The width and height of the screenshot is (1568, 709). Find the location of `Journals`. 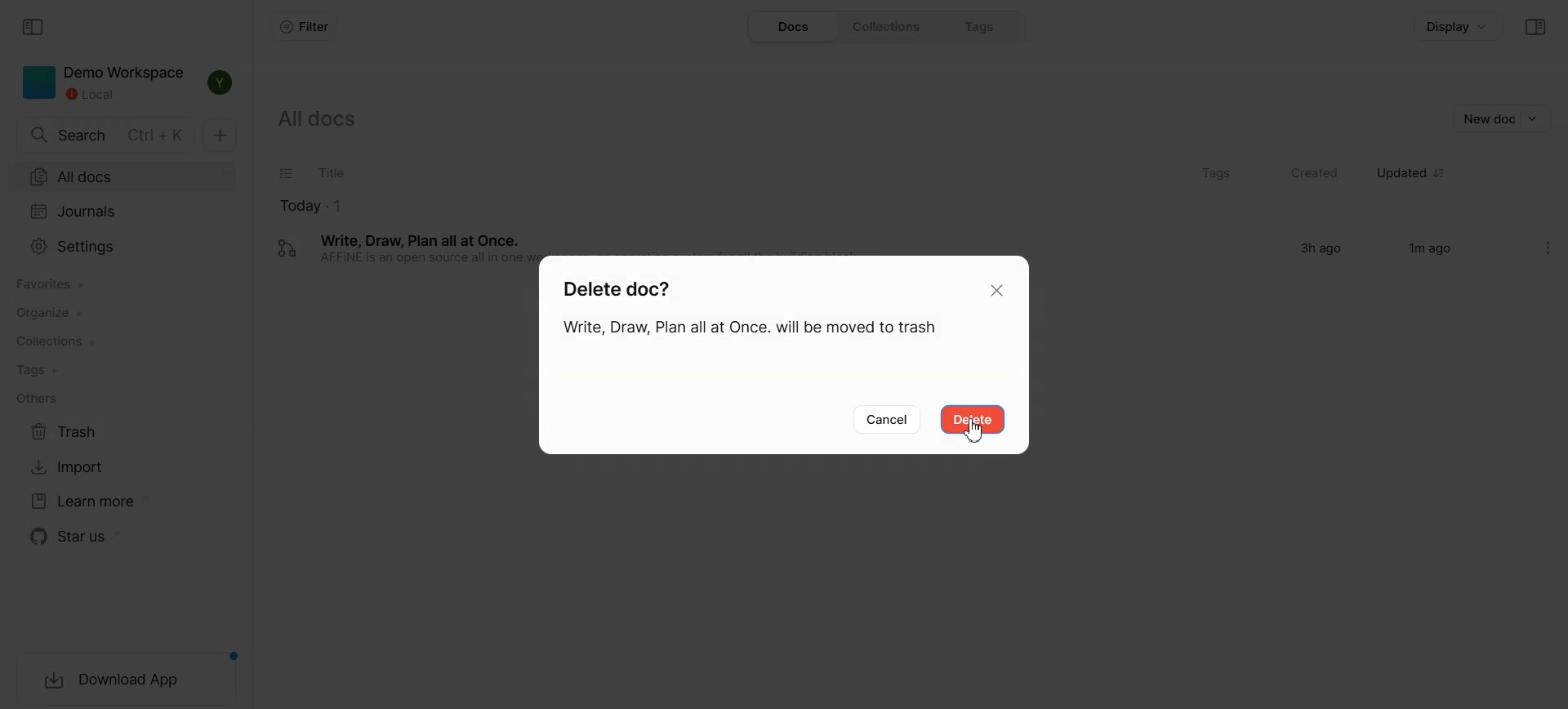

Journals is located at coordinates (121, 213).